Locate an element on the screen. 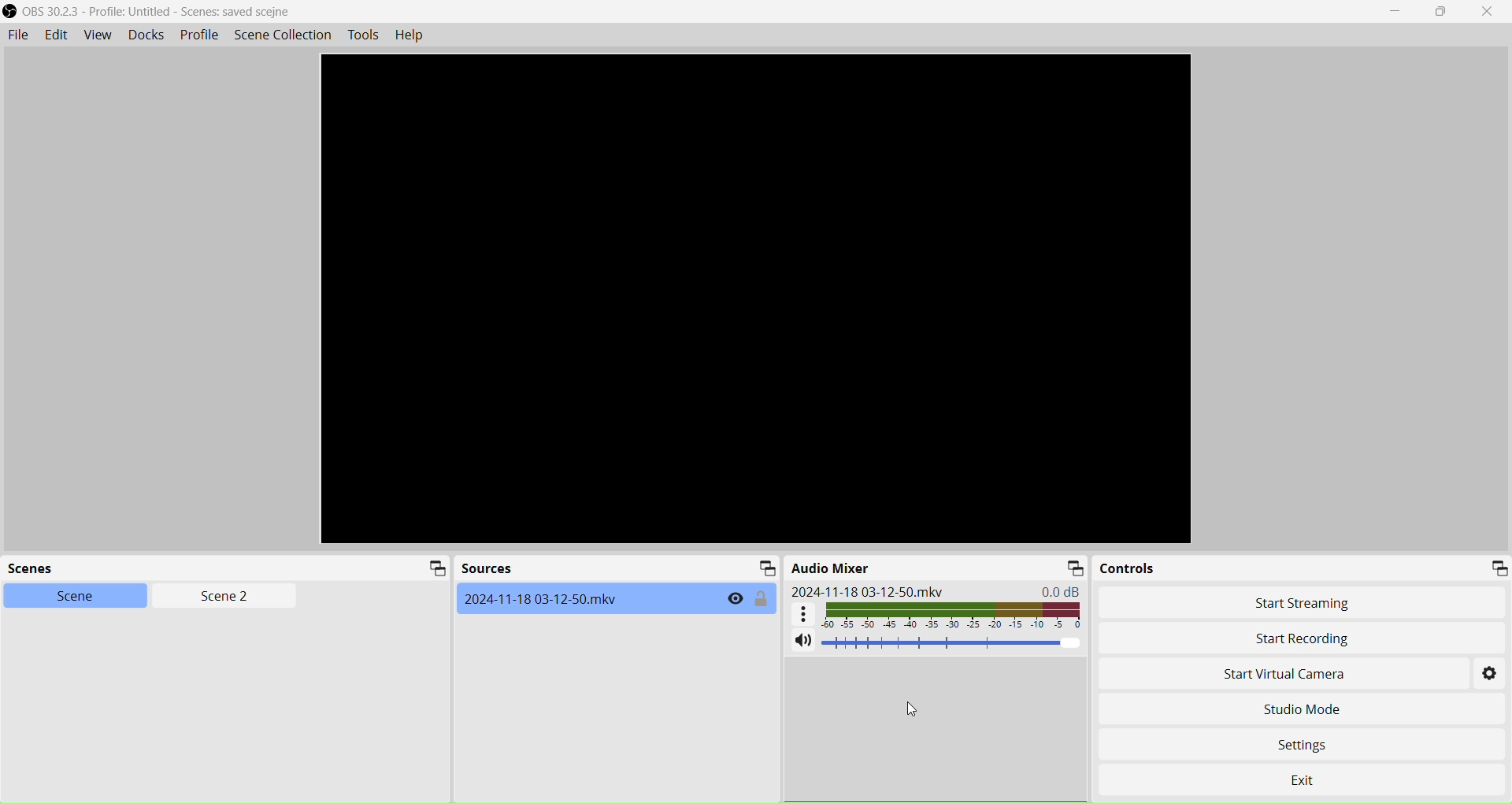  Expand is located at coordinates (1498, 567).